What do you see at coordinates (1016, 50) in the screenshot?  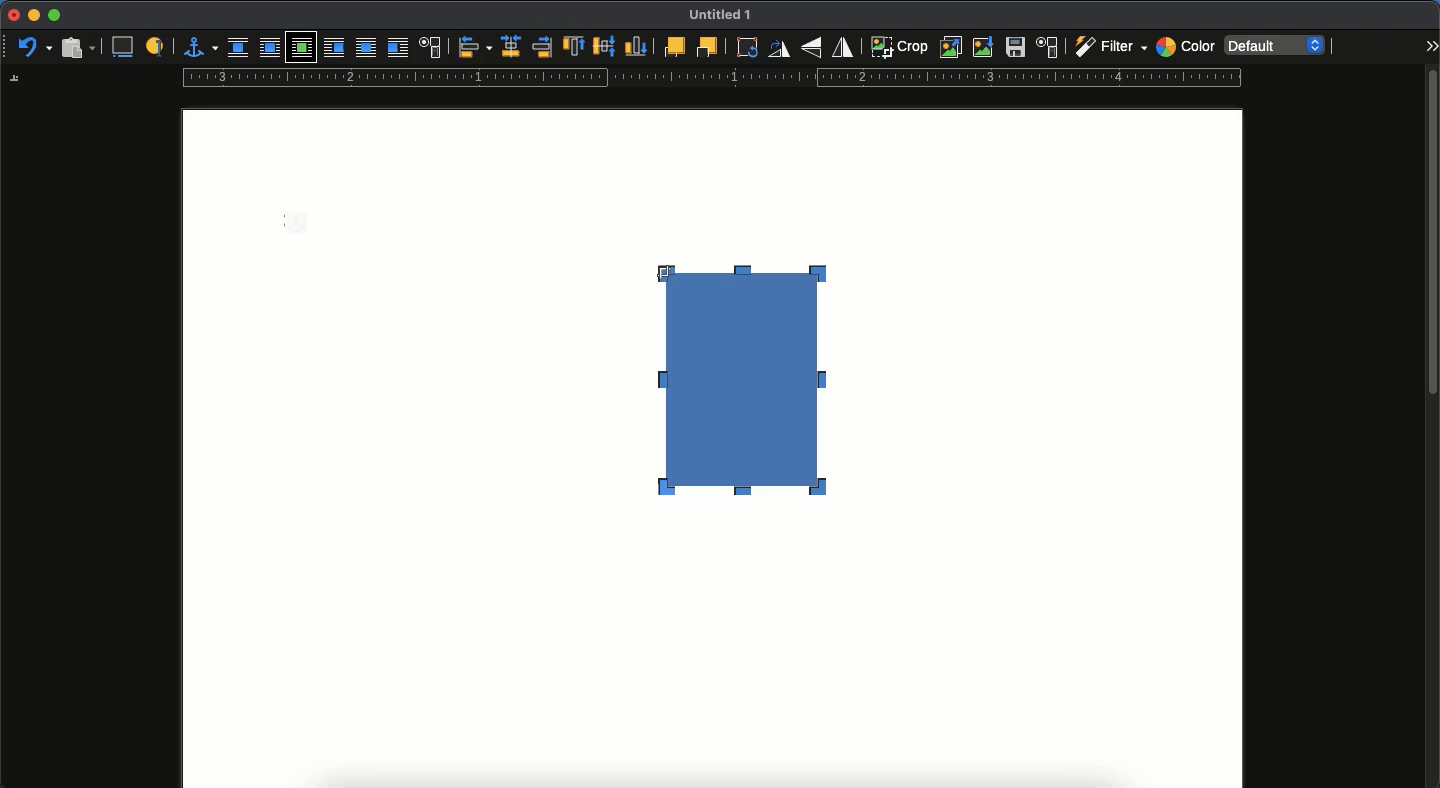 I see `save` at bounding box center [1016, 50].